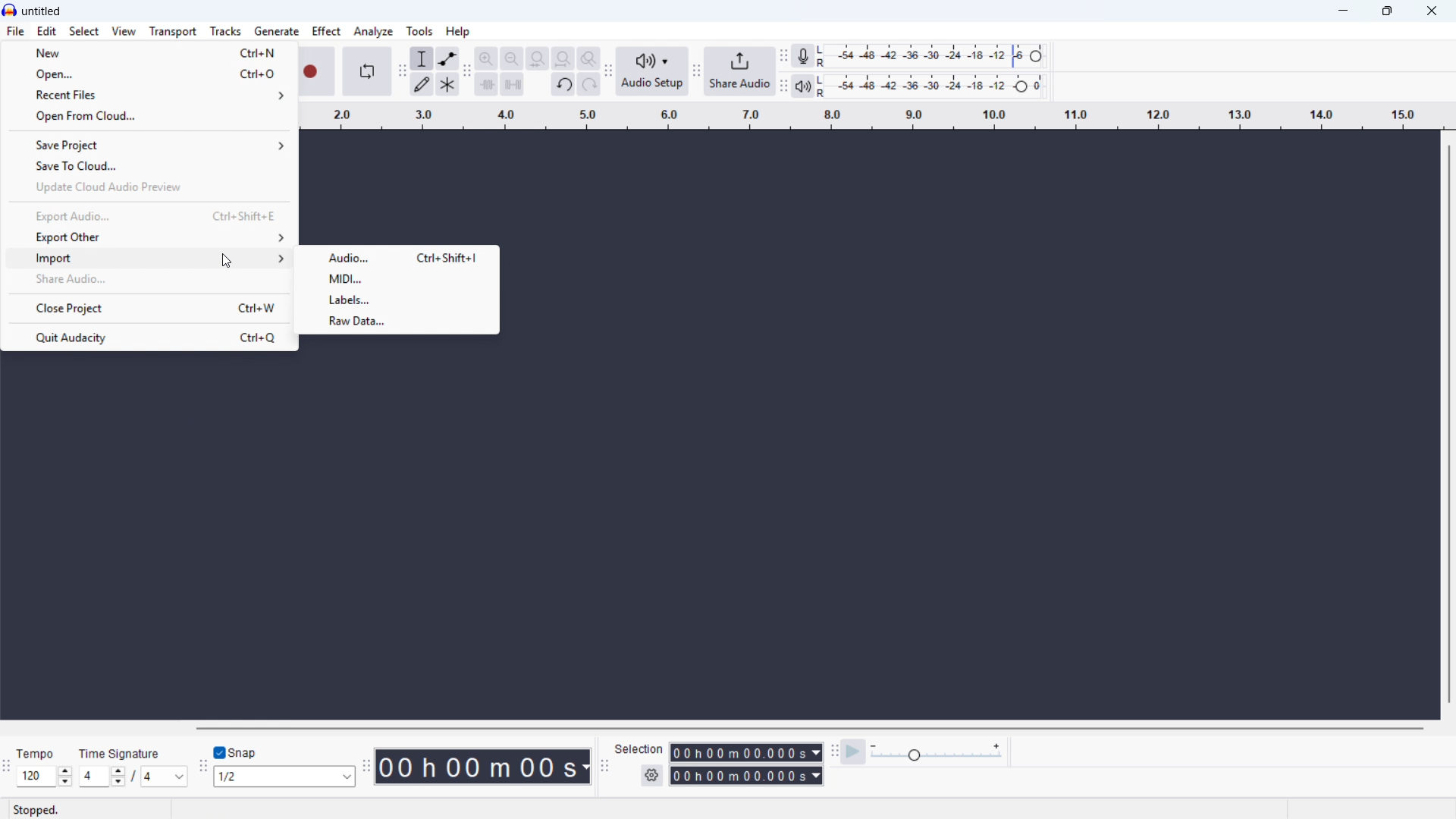  What do you see at coordinates (284, 776) in the screenshot?
I see `Set snapping ` at bounding box center [284, 776].